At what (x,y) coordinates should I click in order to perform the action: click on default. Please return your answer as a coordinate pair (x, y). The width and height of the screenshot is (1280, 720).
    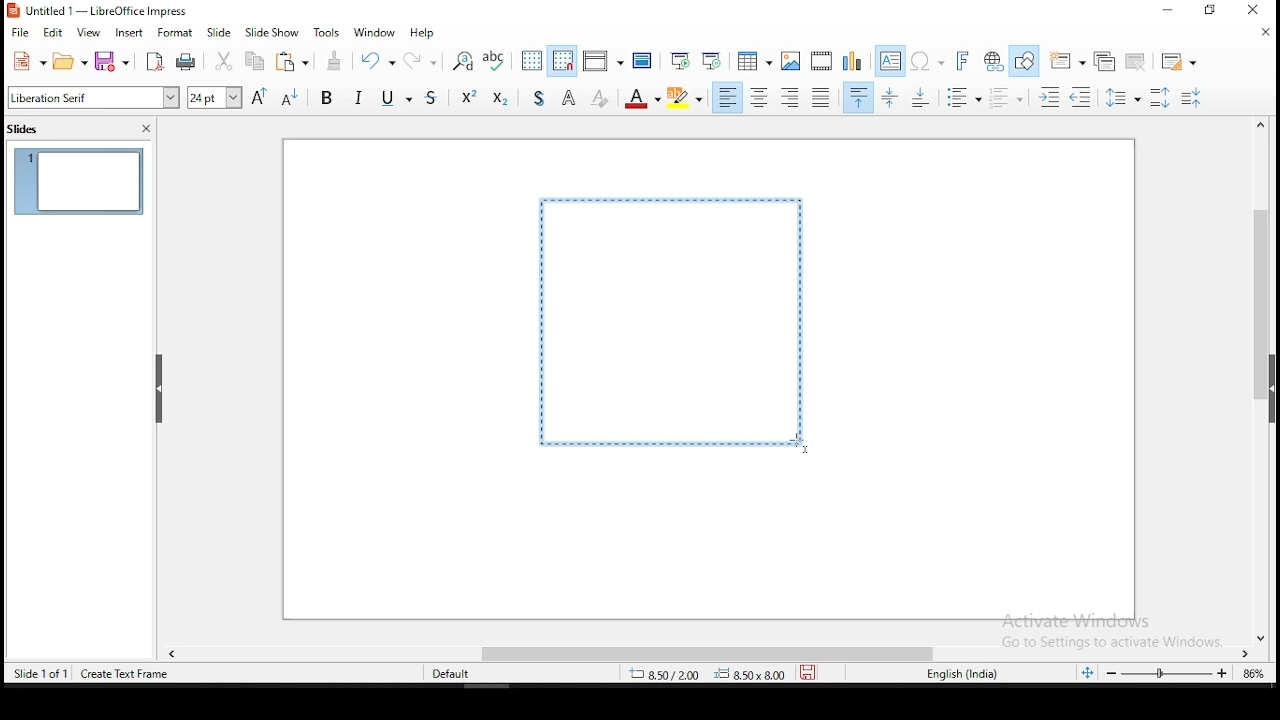
    Looking at the image, I should click on (448, 674).